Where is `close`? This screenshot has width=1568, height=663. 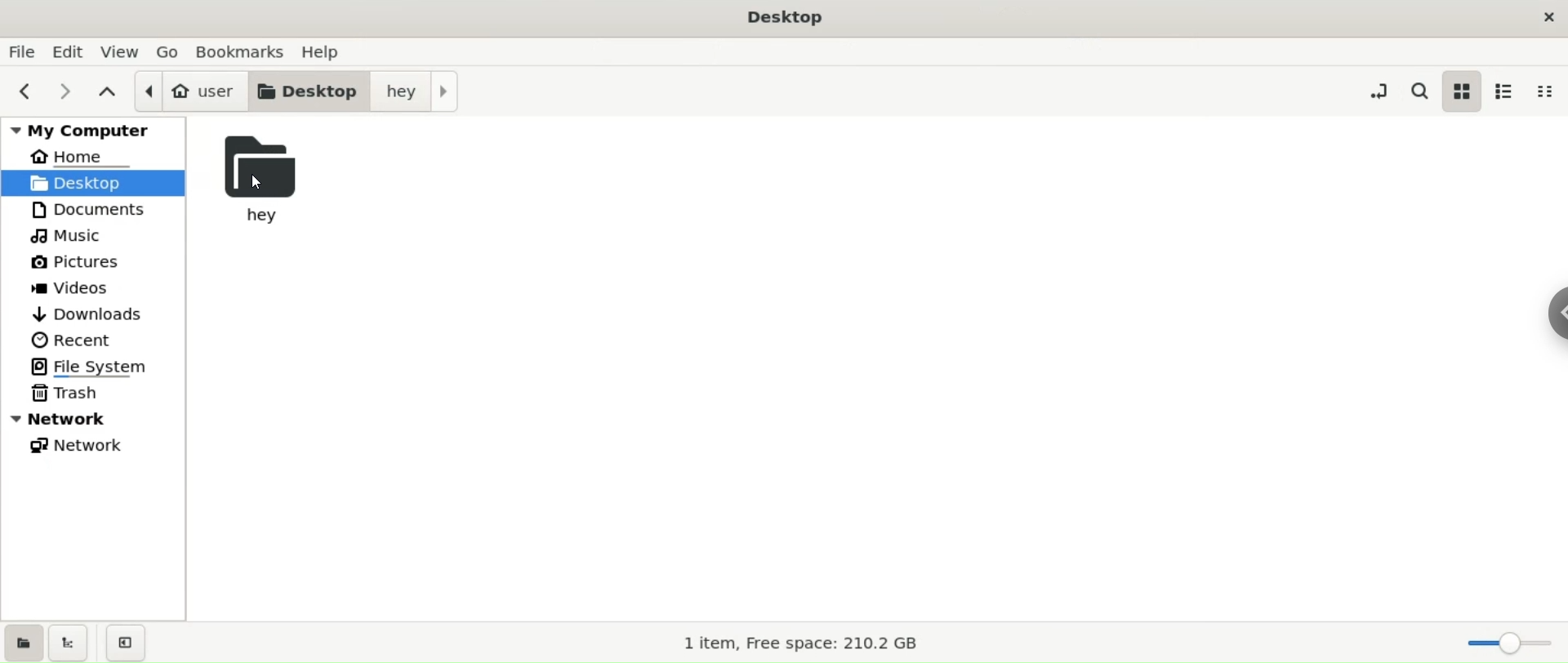
close is located at coordinates (1547, 19).